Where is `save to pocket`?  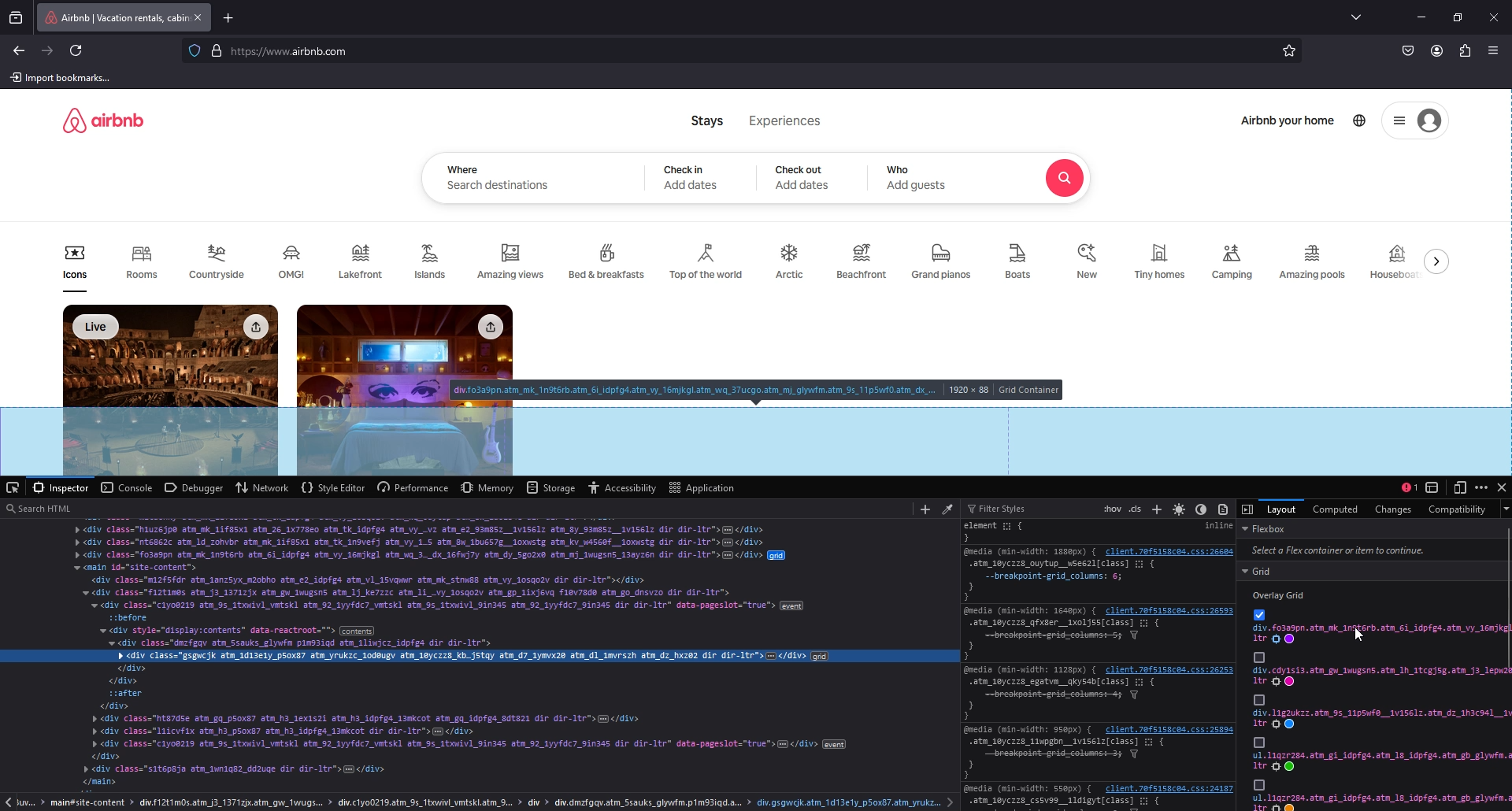 save to pocket is located at coordinates (1408, 52).